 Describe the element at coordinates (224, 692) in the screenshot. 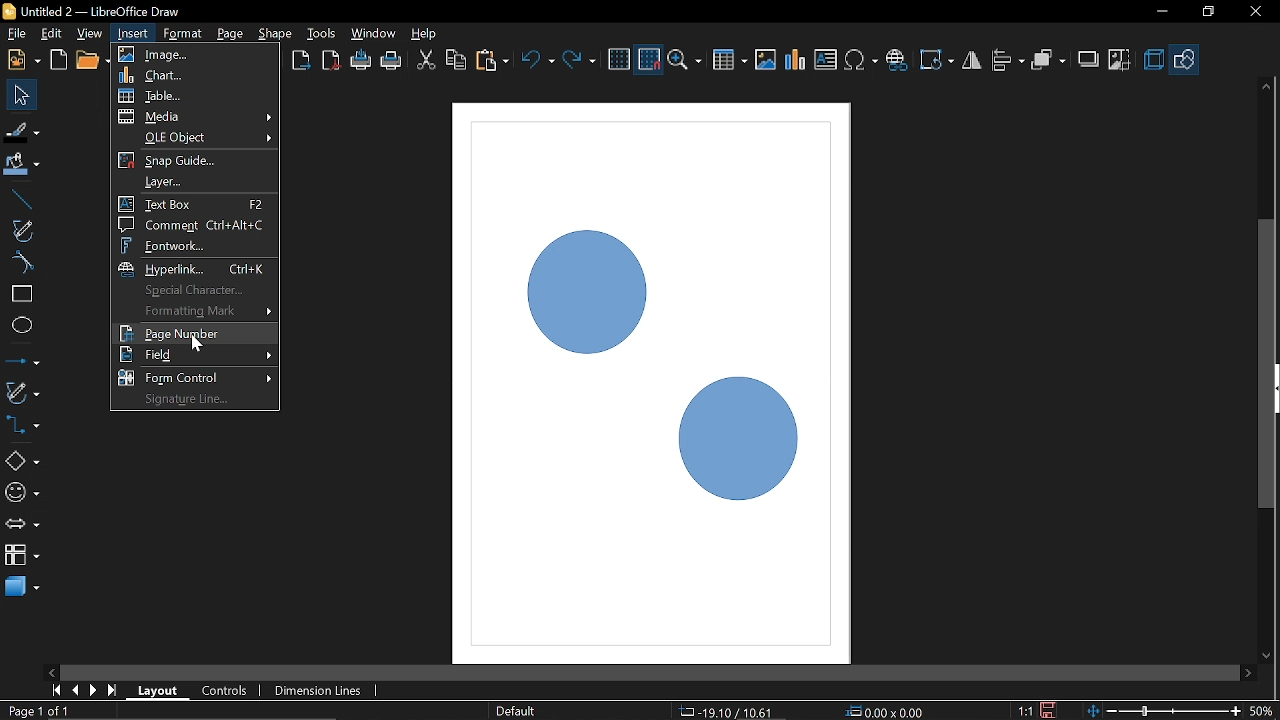

I see `Controls` at that location.